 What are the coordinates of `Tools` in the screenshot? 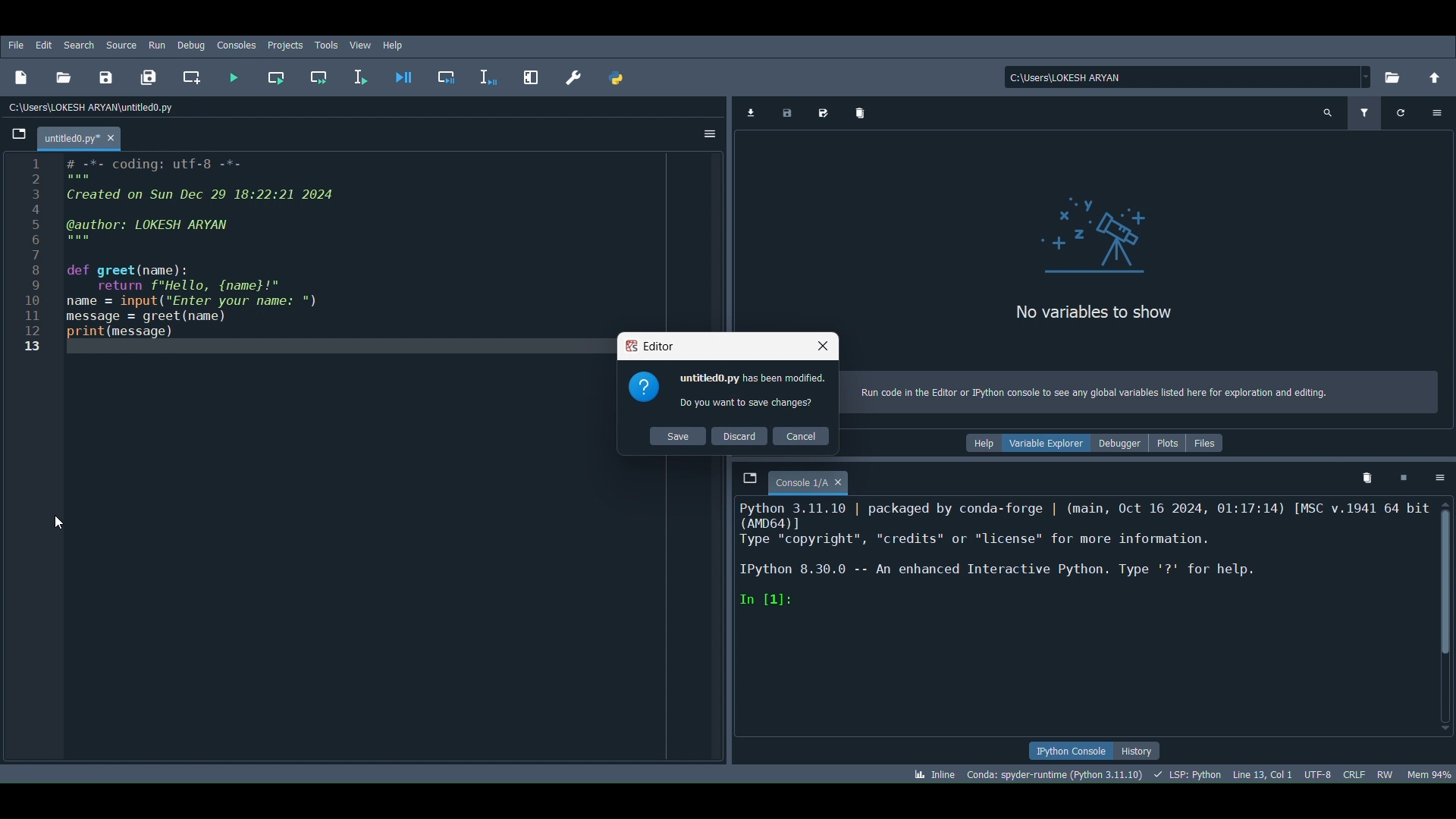 It's located at (327, 42).